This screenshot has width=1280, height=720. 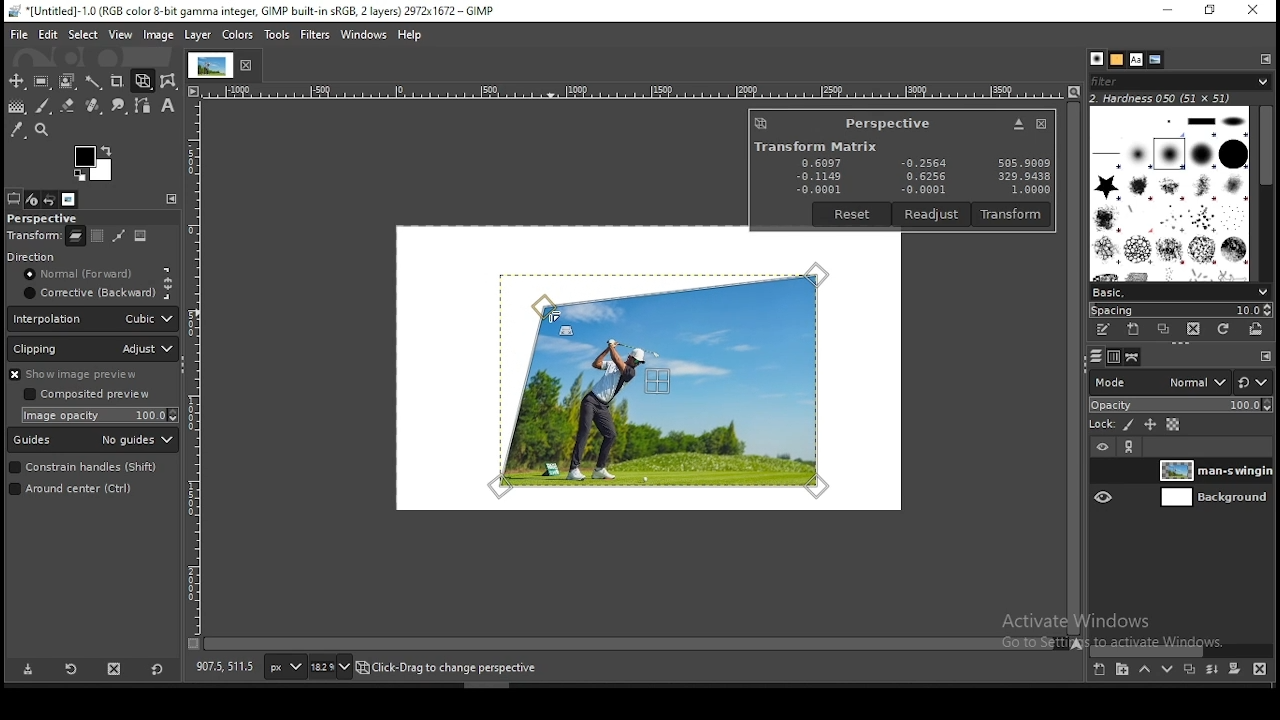 What do you see at coordinates (1165, 670) in the screenshot?
I see `move layer on step down` at bounding box center [1165, 670].